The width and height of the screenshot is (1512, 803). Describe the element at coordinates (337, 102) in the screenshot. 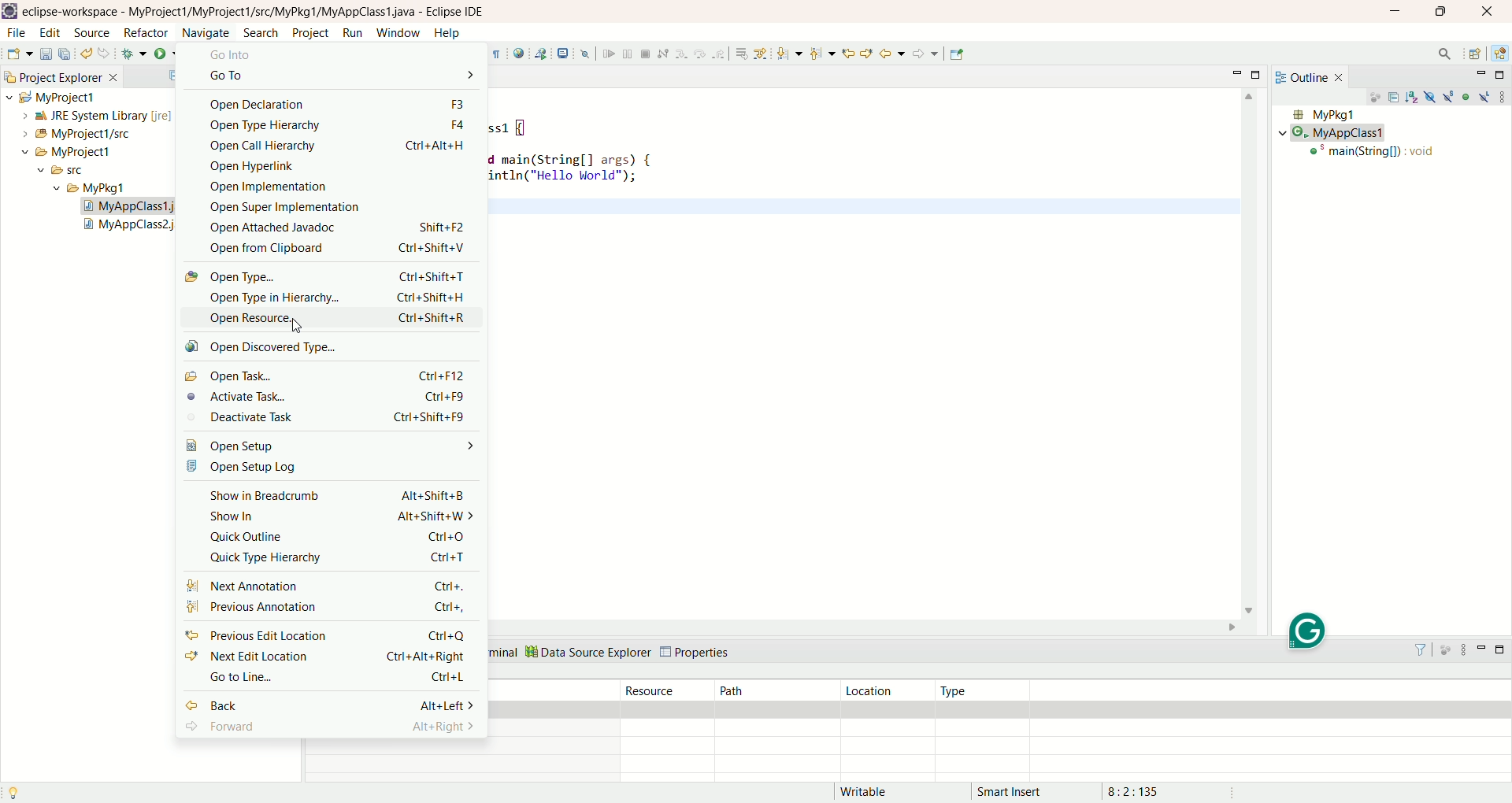

I see `open declaration` at that location.